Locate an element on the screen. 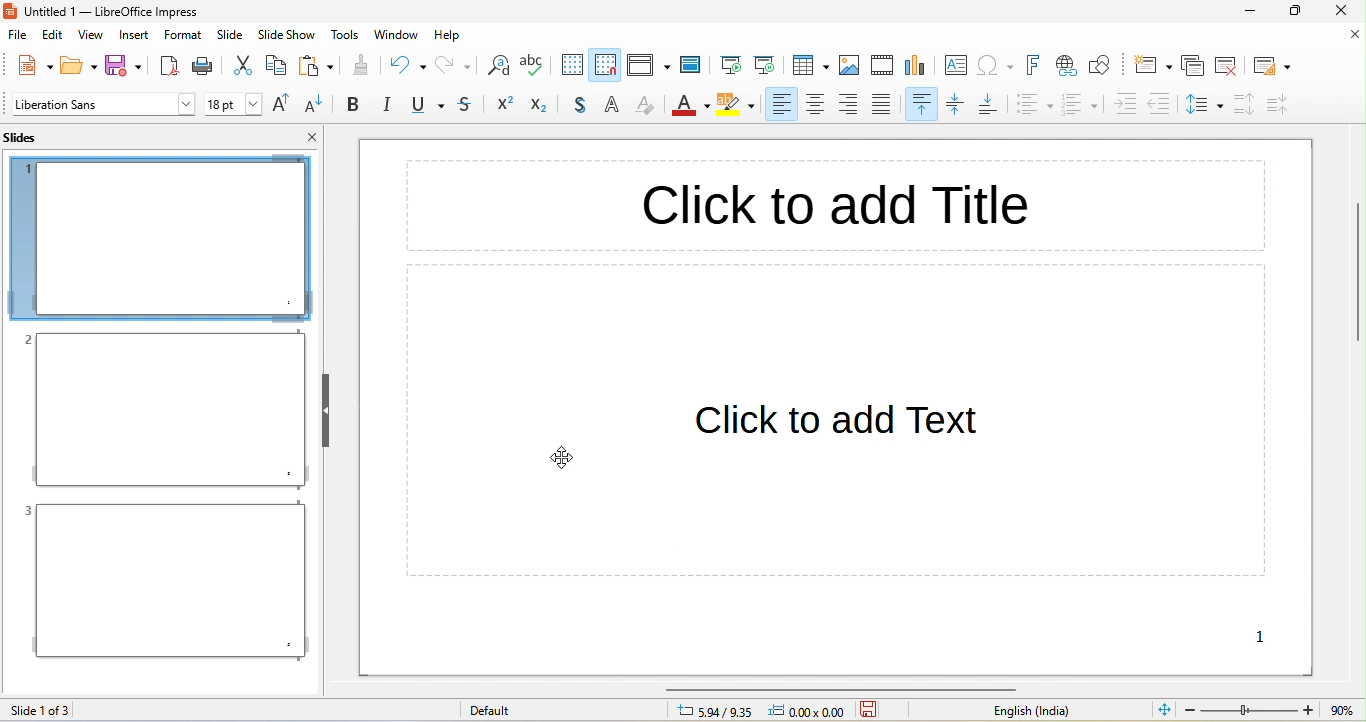  slides is located at coordinates (32, 137).